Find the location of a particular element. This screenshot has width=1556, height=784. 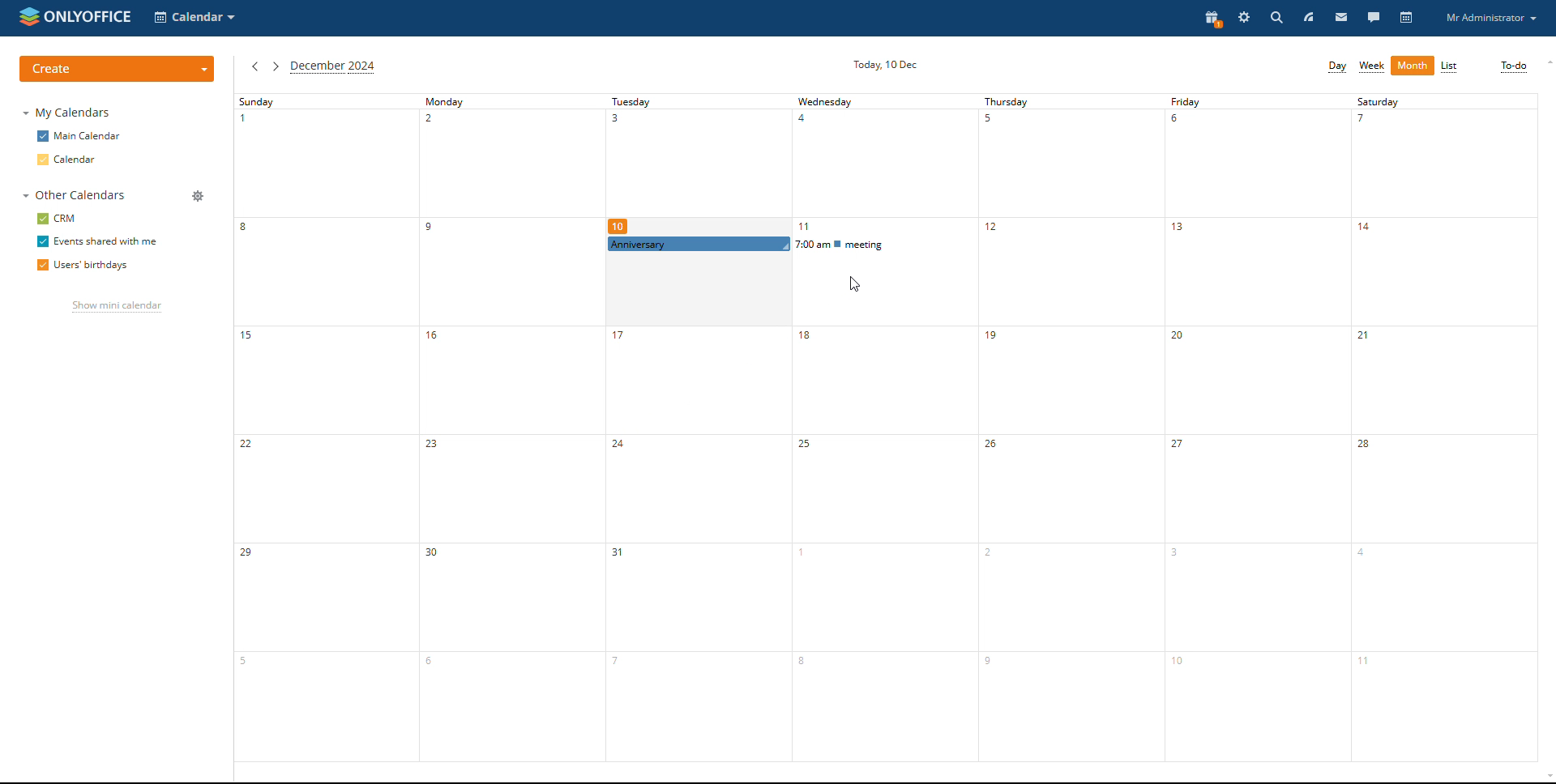

monday is located at coordinates (511, 428).